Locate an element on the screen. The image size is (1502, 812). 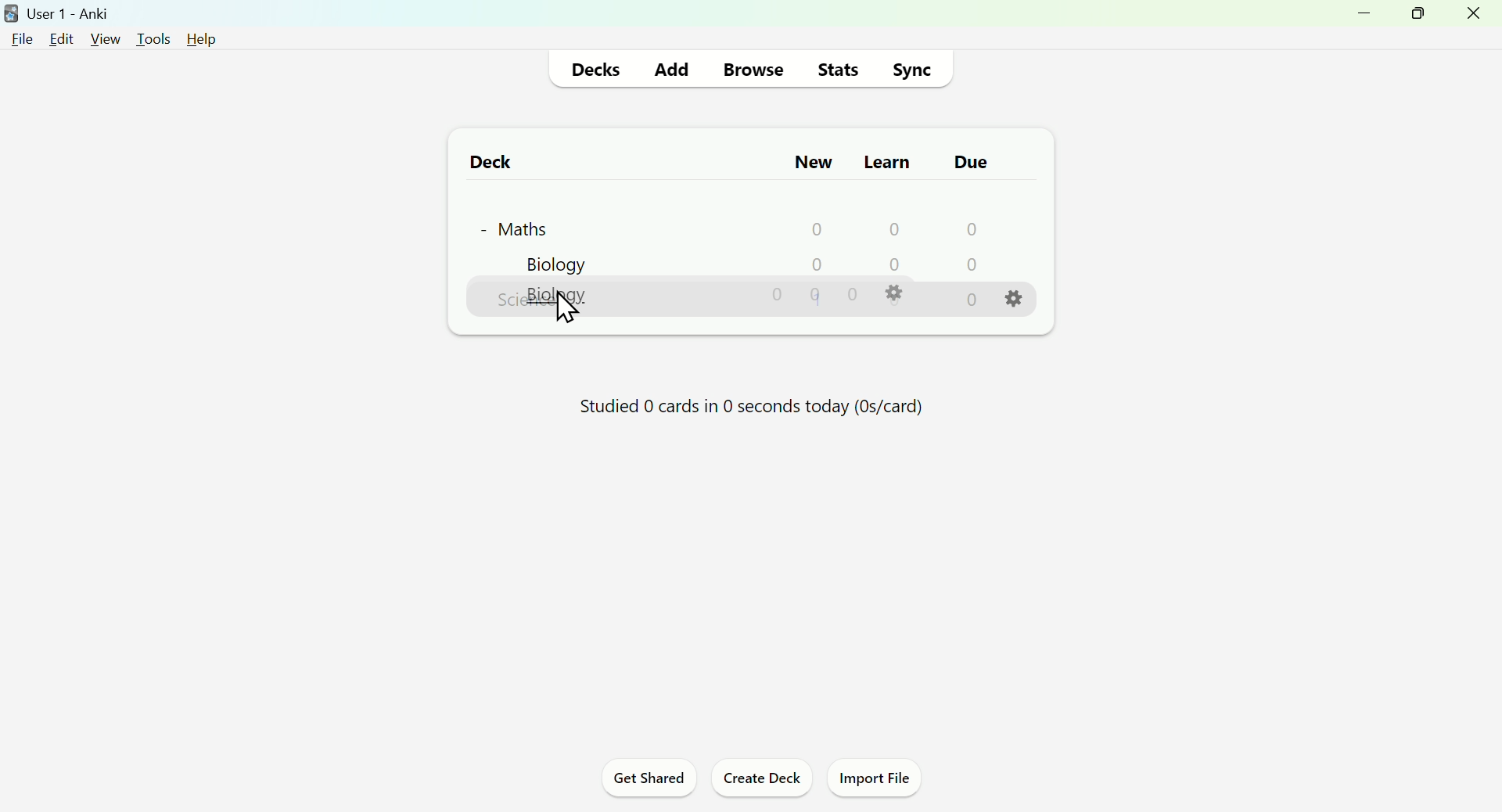
Import File is located at coordinates (873, 780).